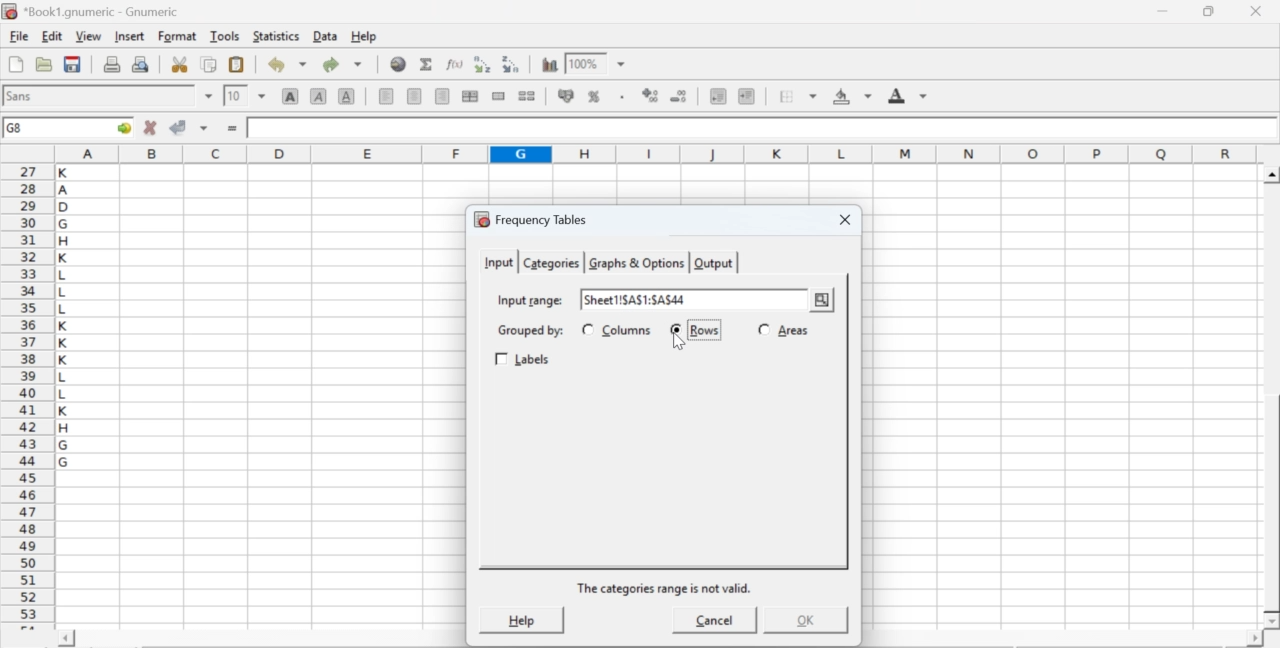 Image resolution: width=1280 pixels, height=648 pixels. I want to click on data, so click(327, 35).